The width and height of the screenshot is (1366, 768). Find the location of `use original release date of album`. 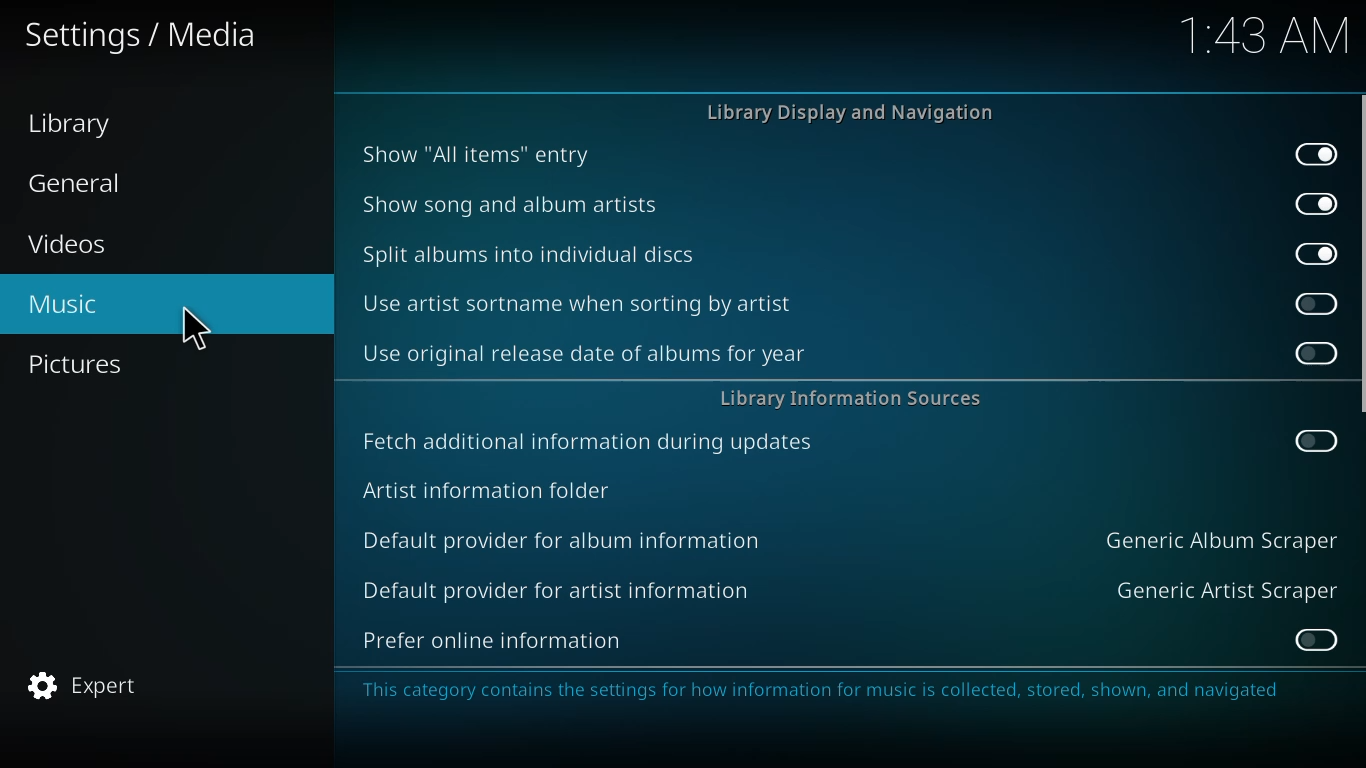

use original release date of album is located at coordinates (583, 353).